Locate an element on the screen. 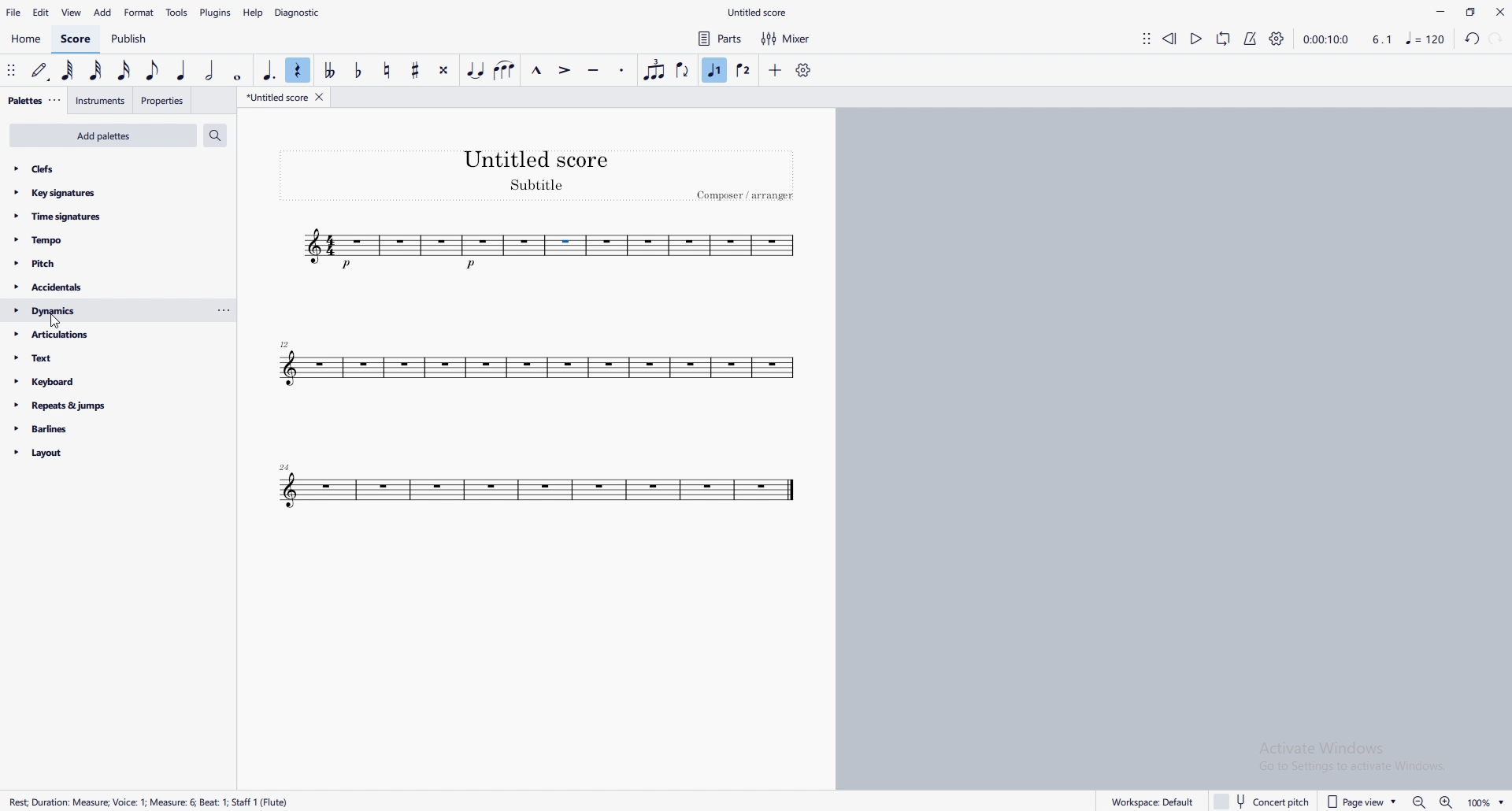 The height and width of the screenshot is (811, 1512). minimize is located at coordinates (1441, 11).